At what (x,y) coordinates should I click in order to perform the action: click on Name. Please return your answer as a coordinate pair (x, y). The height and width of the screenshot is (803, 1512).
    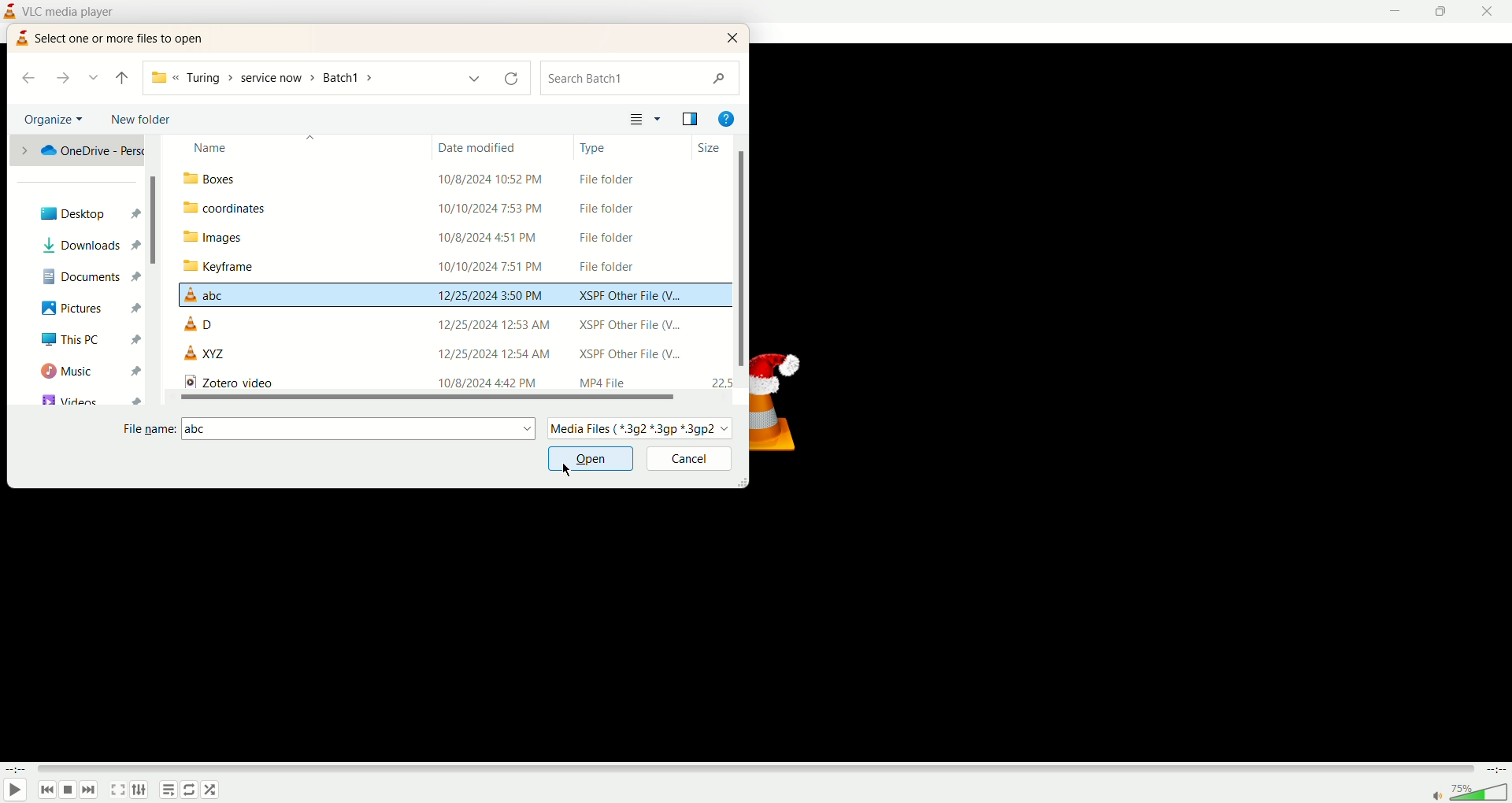
    Looking at the image, I should click on (305, 147).